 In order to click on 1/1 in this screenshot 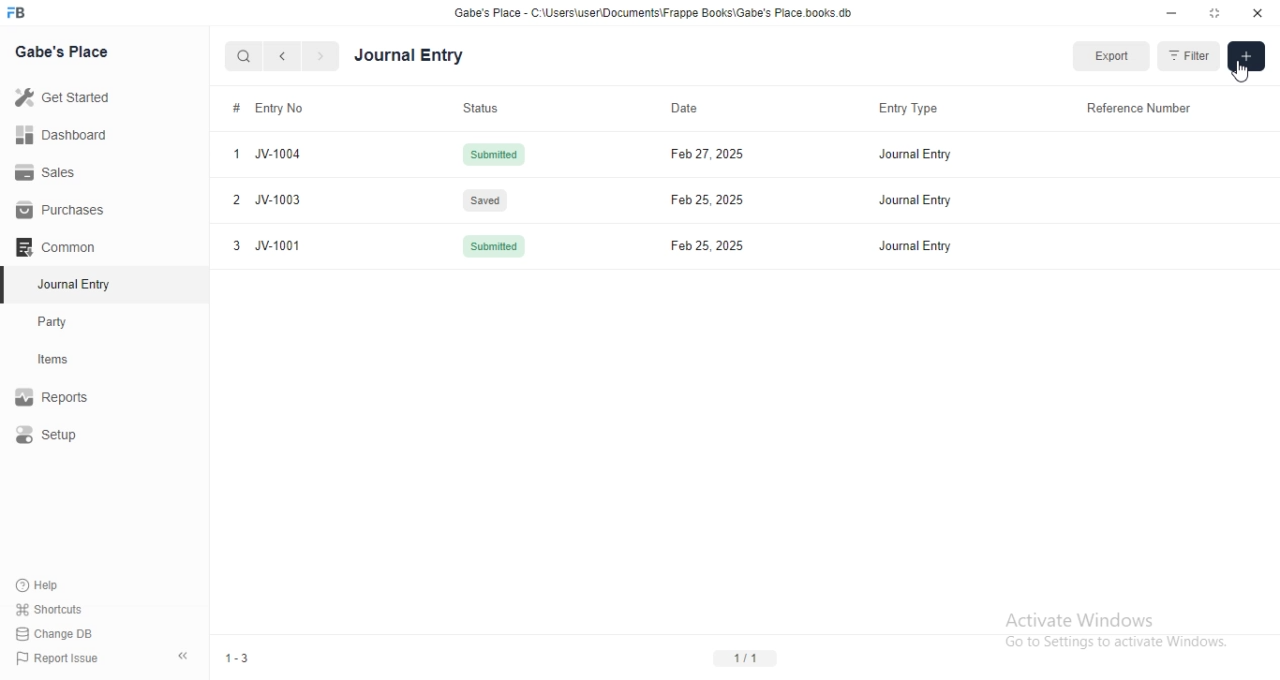, I will do `click(746, 657)`.